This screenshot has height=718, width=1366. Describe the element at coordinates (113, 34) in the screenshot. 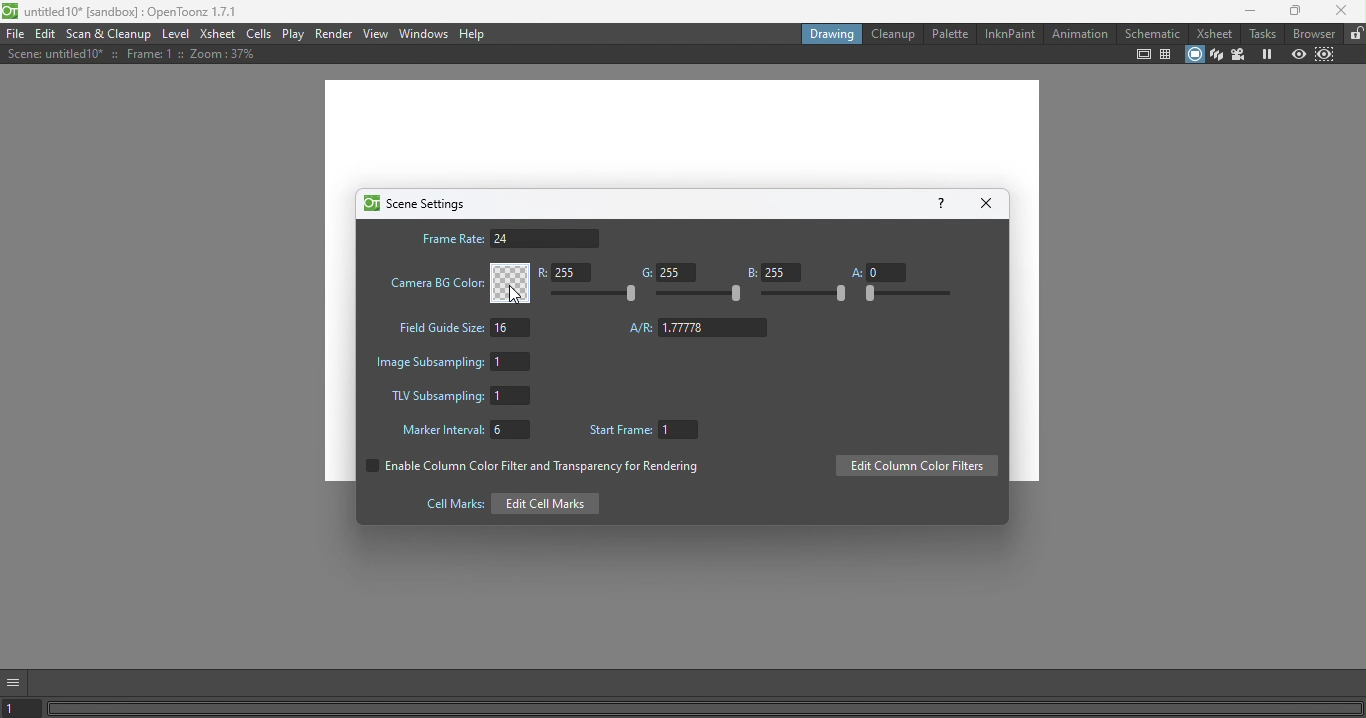

I see `Scan & Cleanup` at that location.